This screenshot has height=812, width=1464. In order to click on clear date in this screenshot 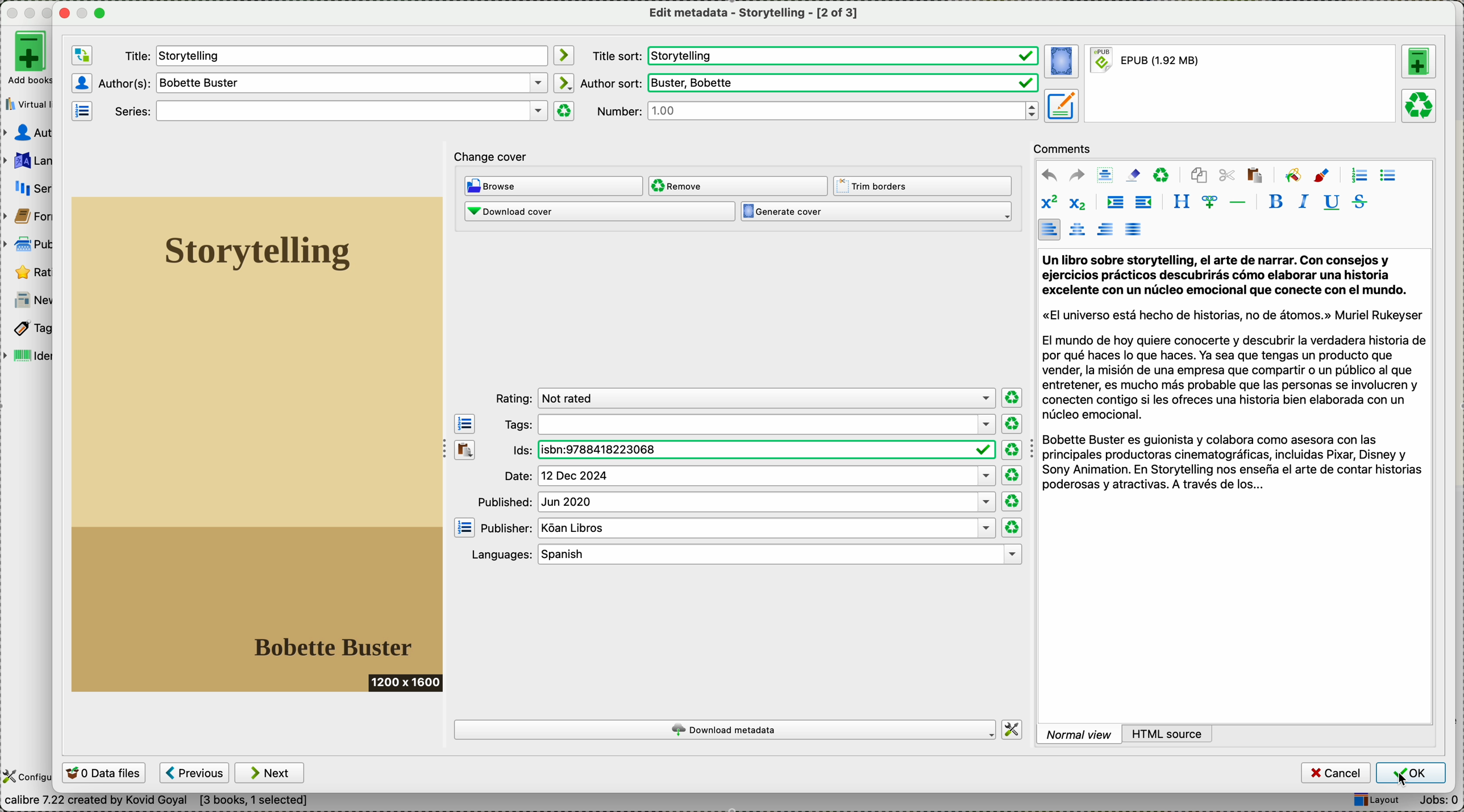, I will do `click(1013, 450)`.